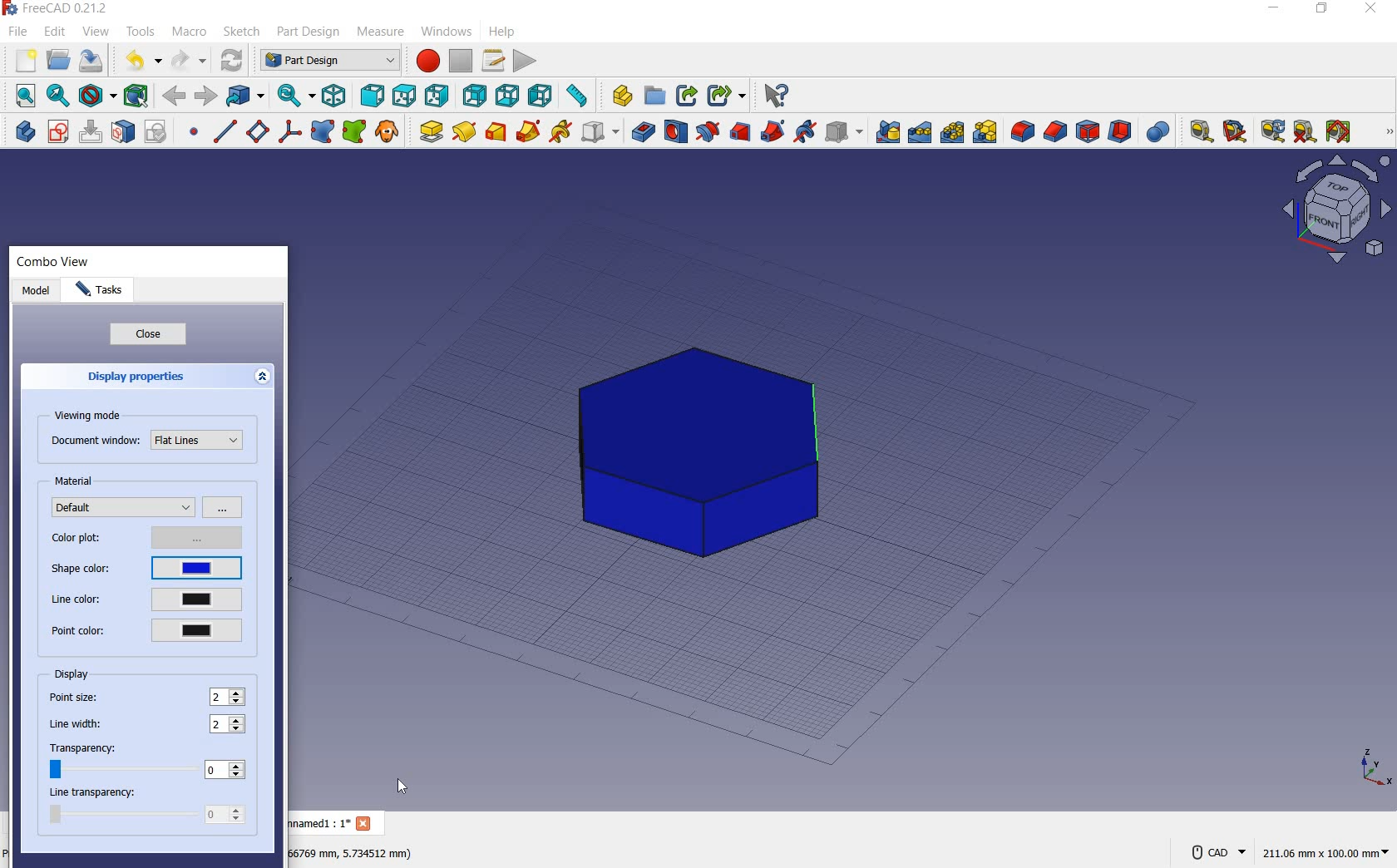 This screenshot has width=1397, height=868. Describe the element at coordinates (24, 61) in the screenshot. I see `new` at that location.